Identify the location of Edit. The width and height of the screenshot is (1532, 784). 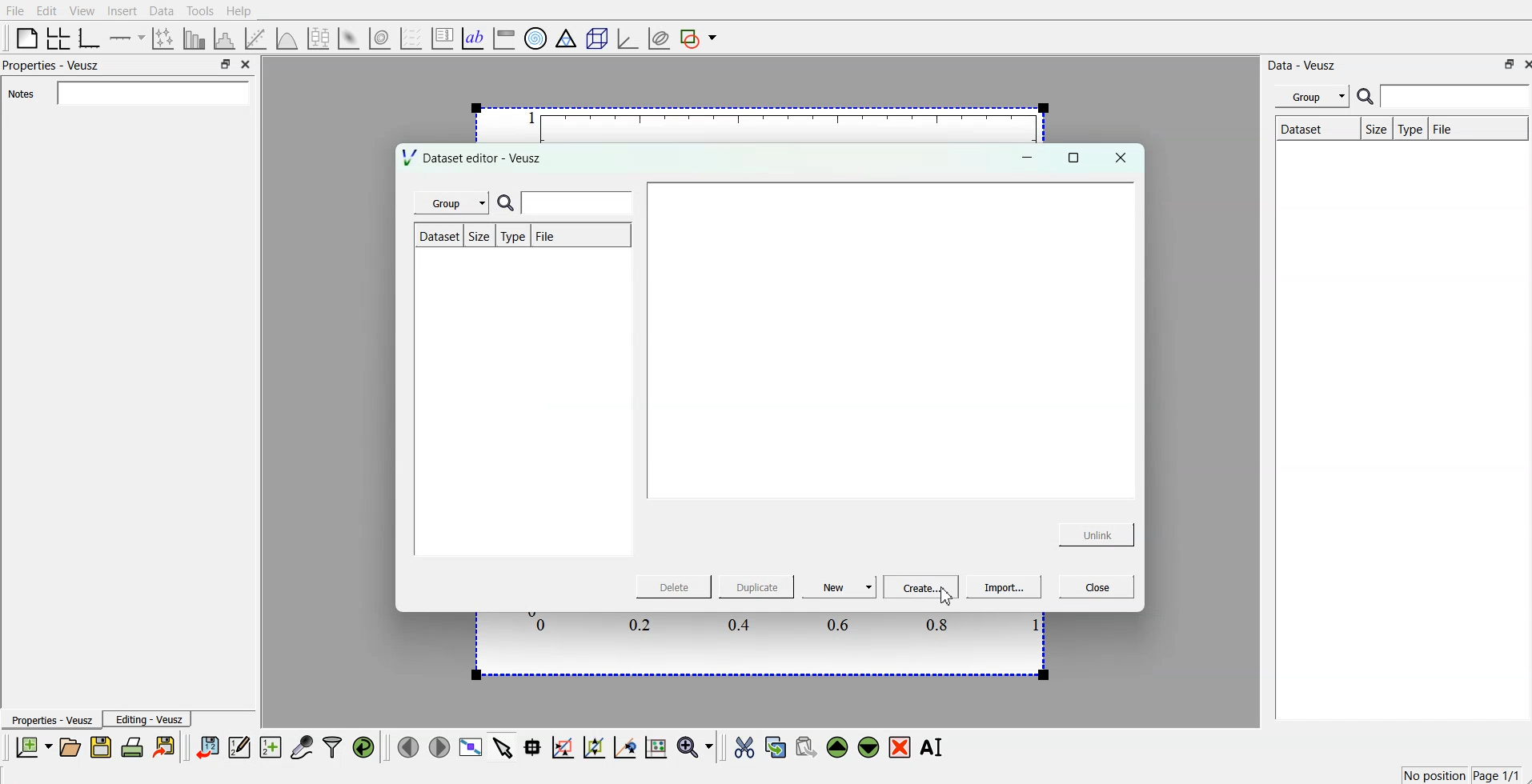
(46, 10).